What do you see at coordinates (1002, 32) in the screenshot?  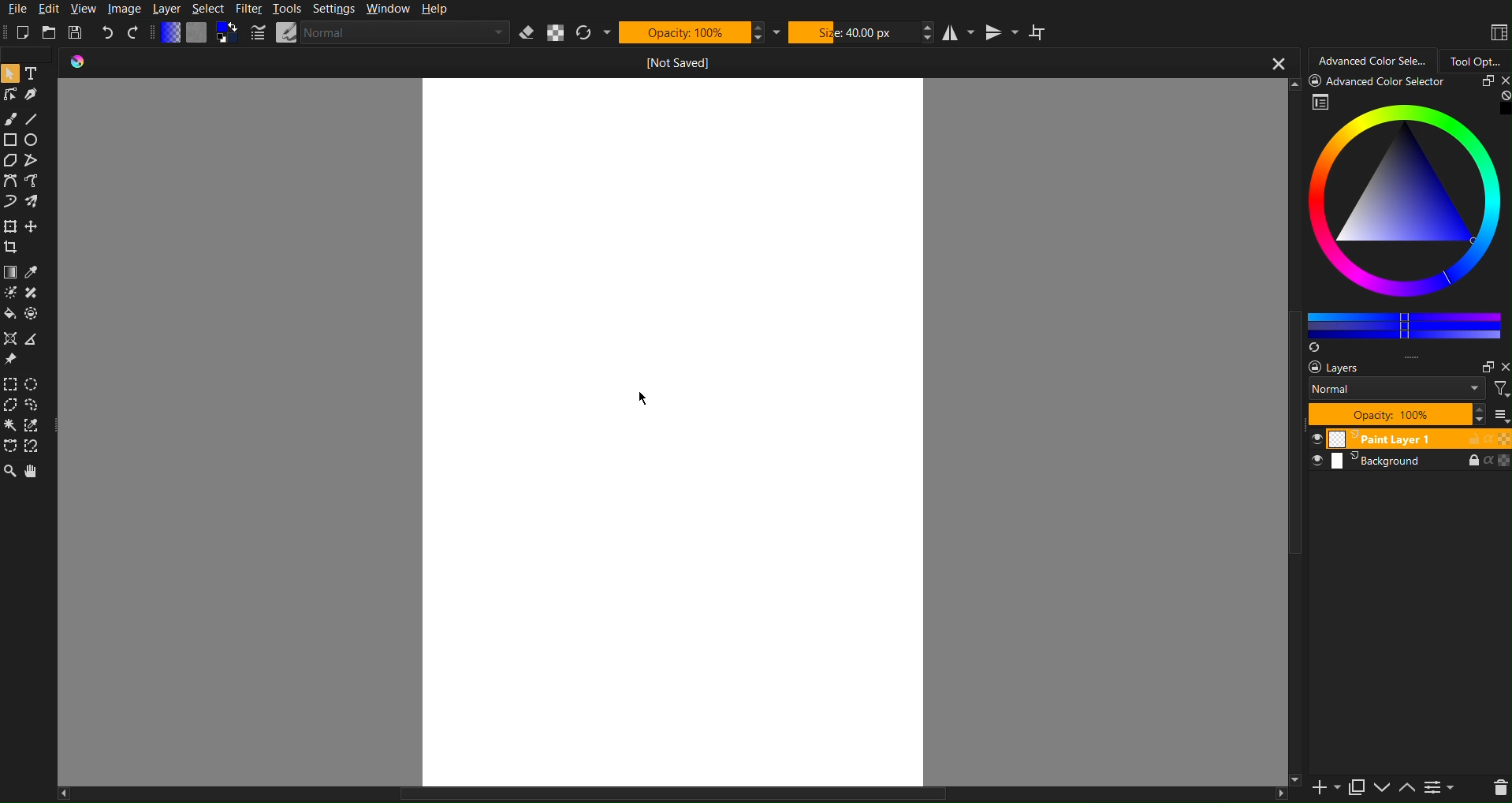 I see `Vertical Mirror` at bounding box center [1002, 32].